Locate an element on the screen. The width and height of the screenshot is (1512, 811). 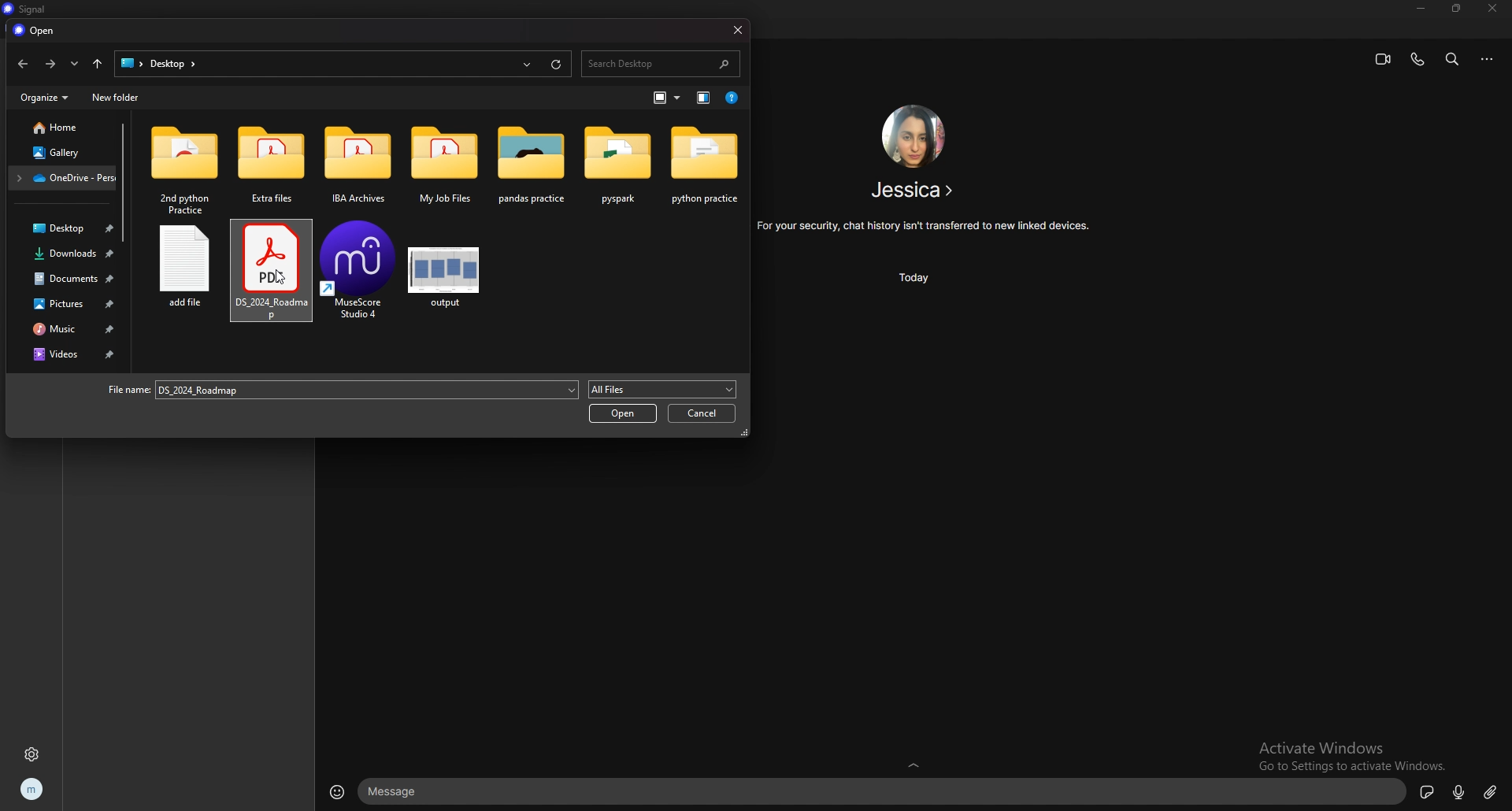
voice message is located at coordinates (1458, 793).